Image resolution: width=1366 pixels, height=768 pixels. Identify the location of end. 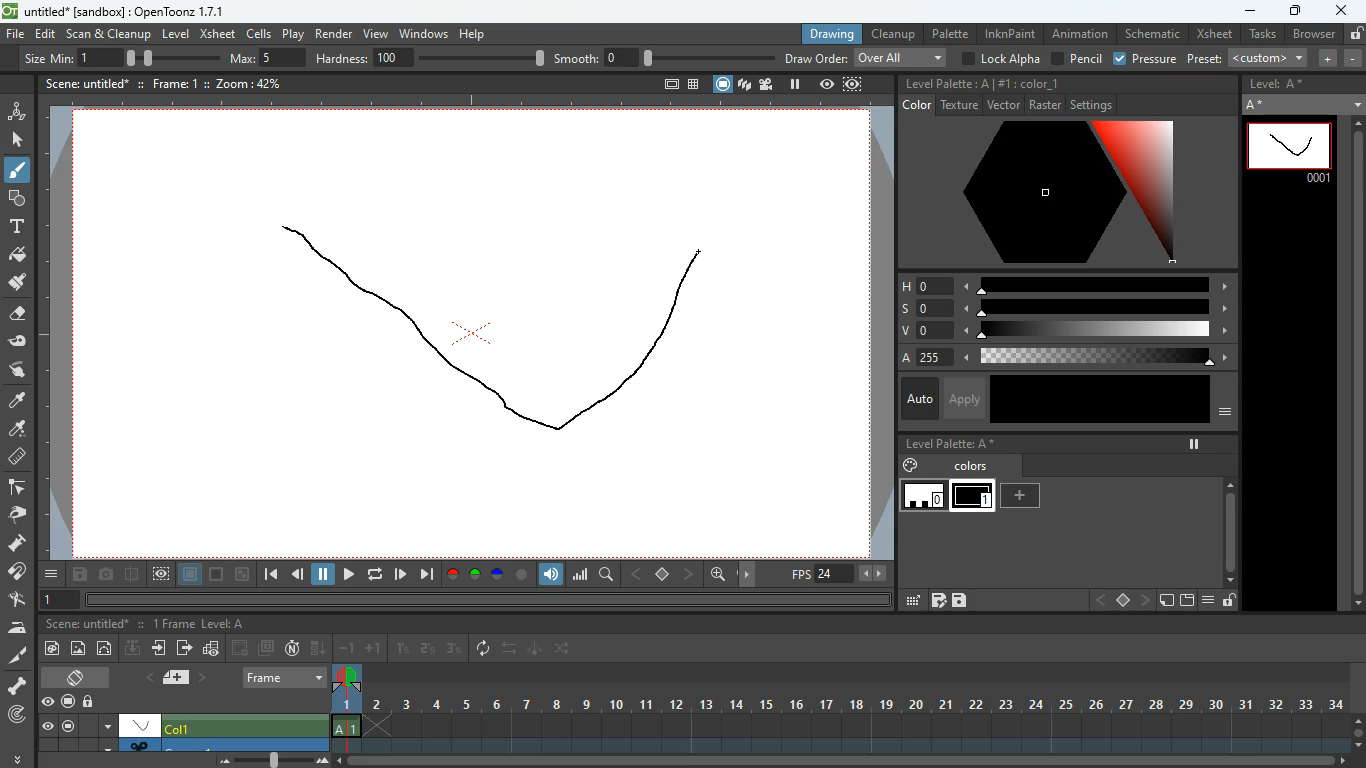
(426, 574).